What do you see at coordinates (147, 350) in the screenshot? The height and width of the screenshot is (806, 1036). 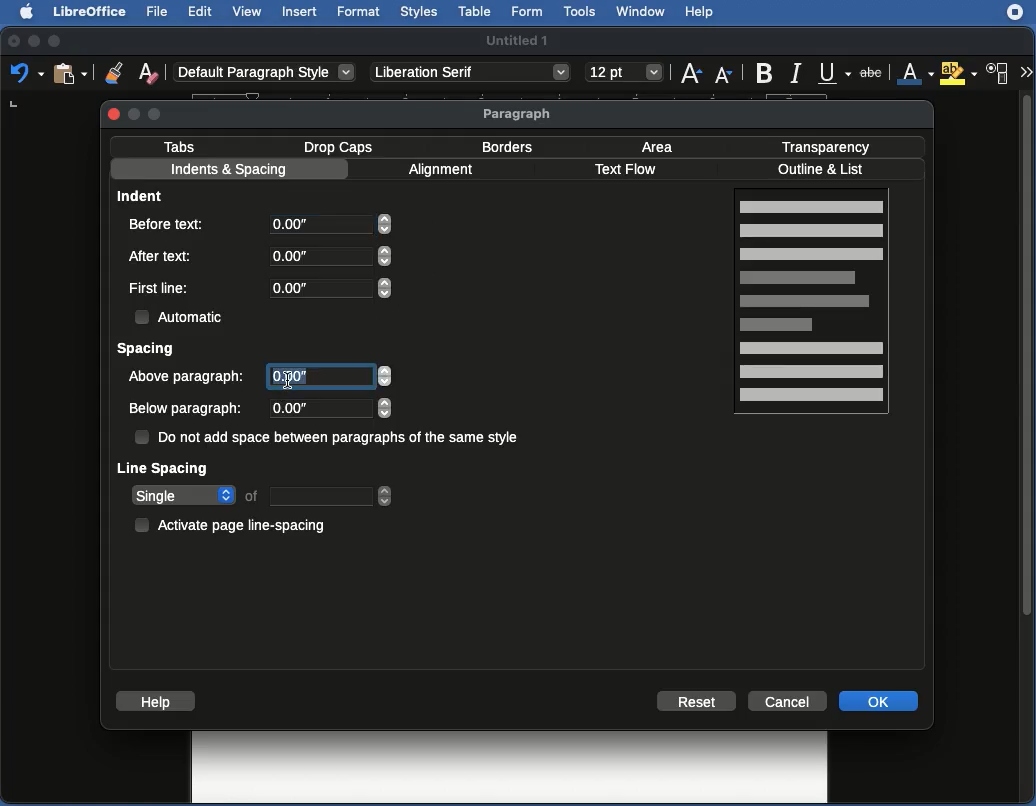 I see `Spacing` at bounding box center [147, 350].